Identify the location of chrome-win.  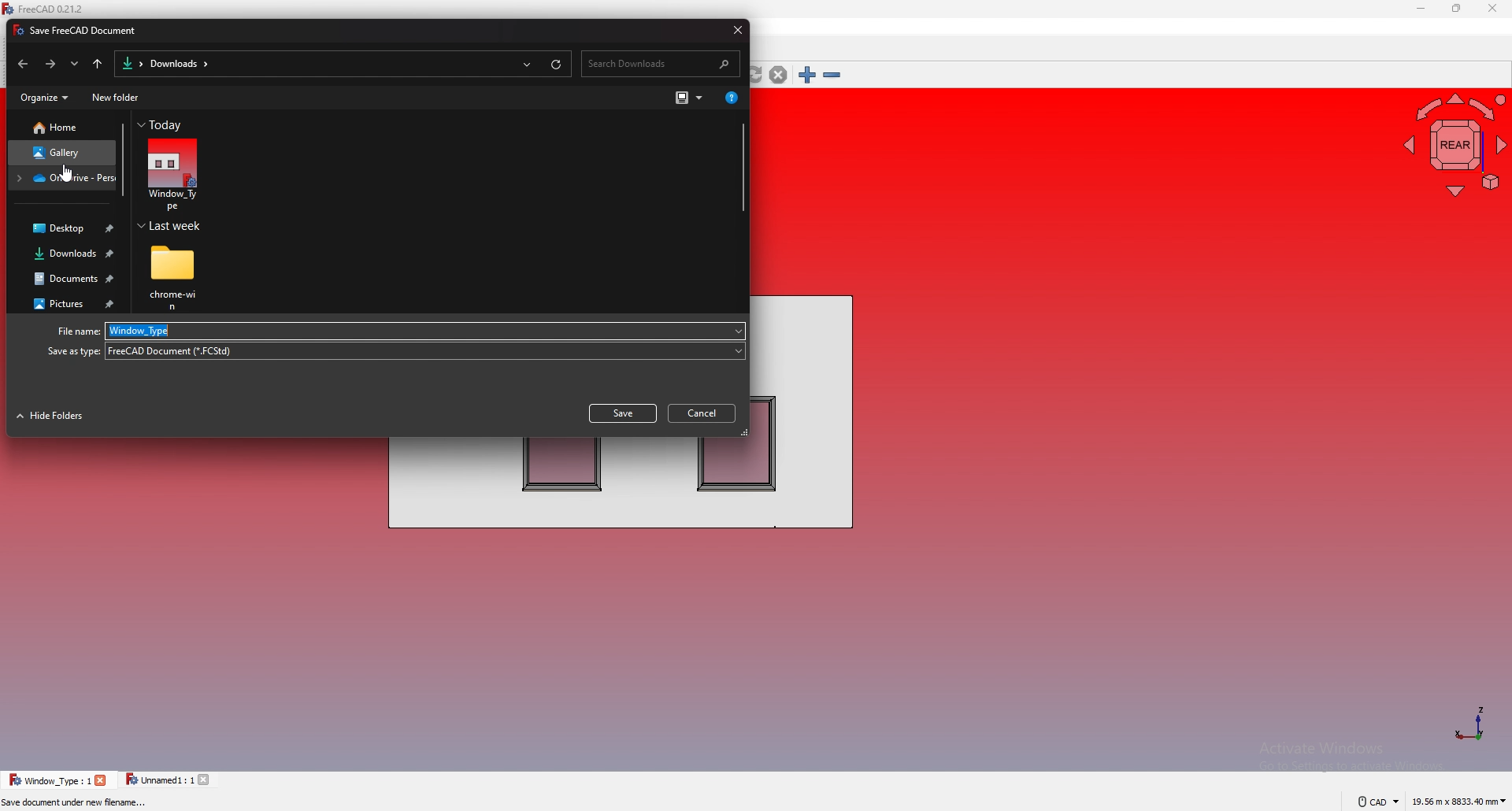
(175, 278).